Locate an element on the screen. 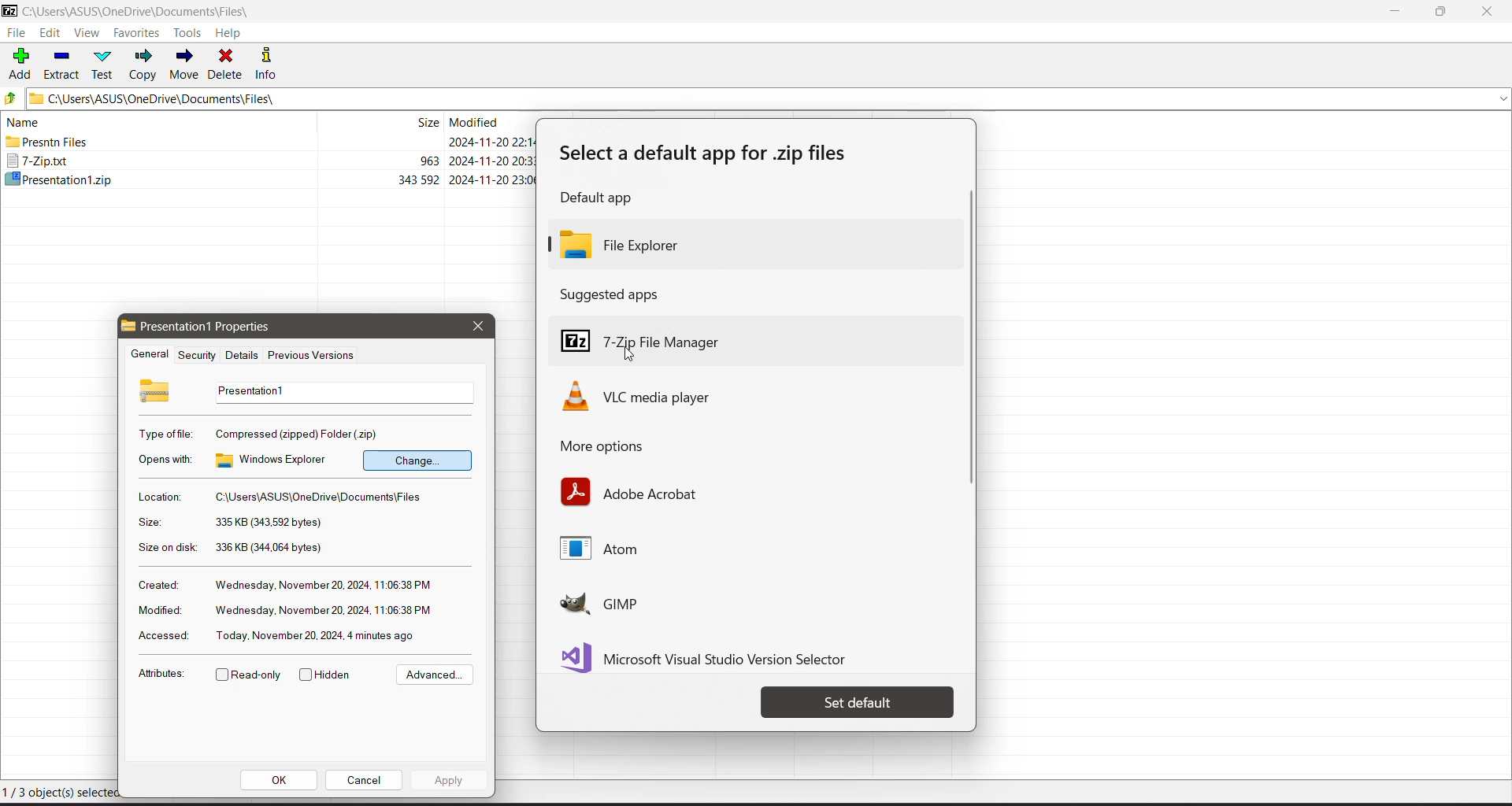  Details is located at coordinates (239, 355).